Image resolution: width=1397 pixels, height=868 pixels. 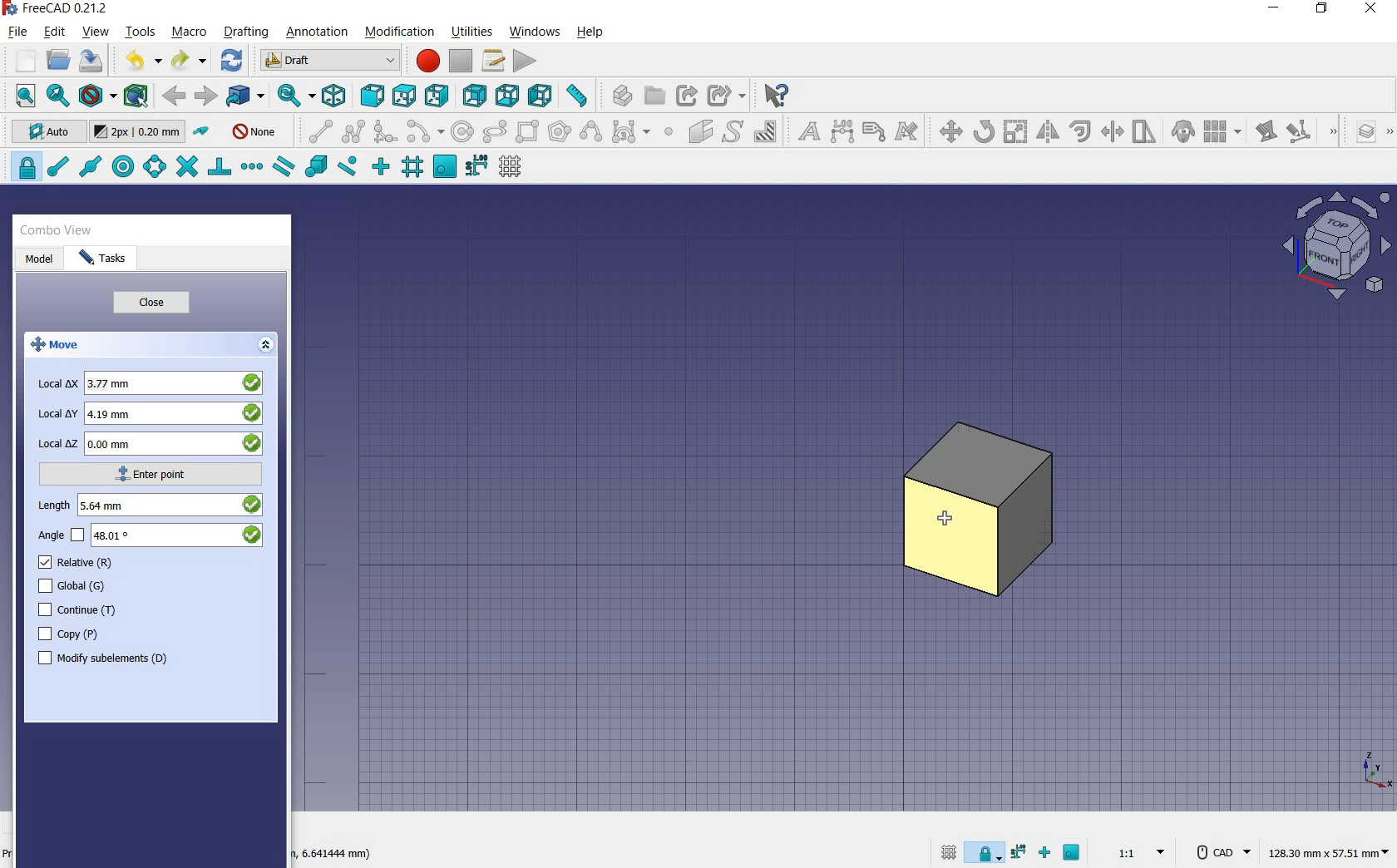 What do you see at coordinates (874, 131) in the screenshot?
I see `label` at bounding box center [874, 131].